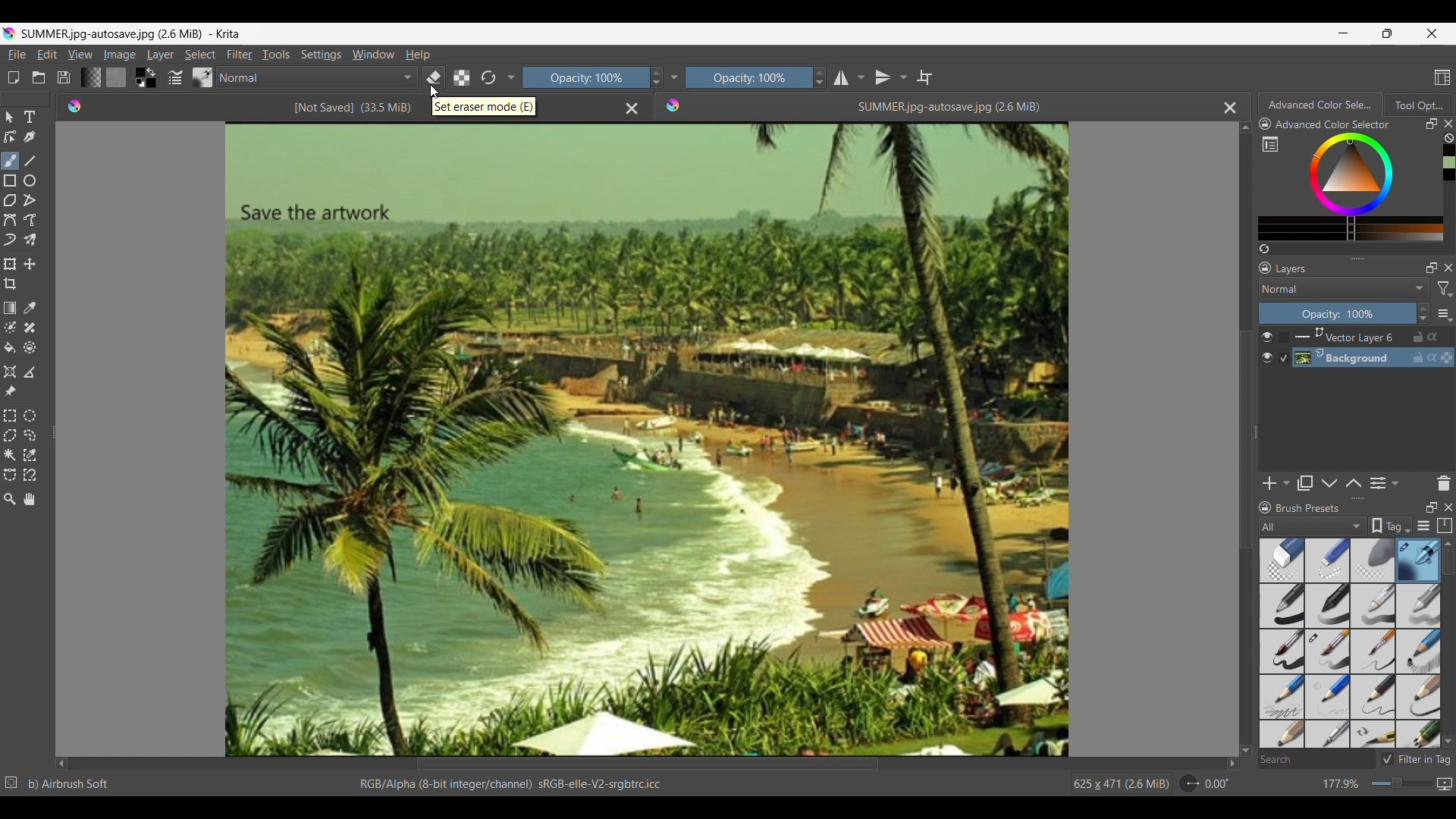  Describe the element at coordinates (9, 500) in the screenshot. I see `Zoom tool` at that location.